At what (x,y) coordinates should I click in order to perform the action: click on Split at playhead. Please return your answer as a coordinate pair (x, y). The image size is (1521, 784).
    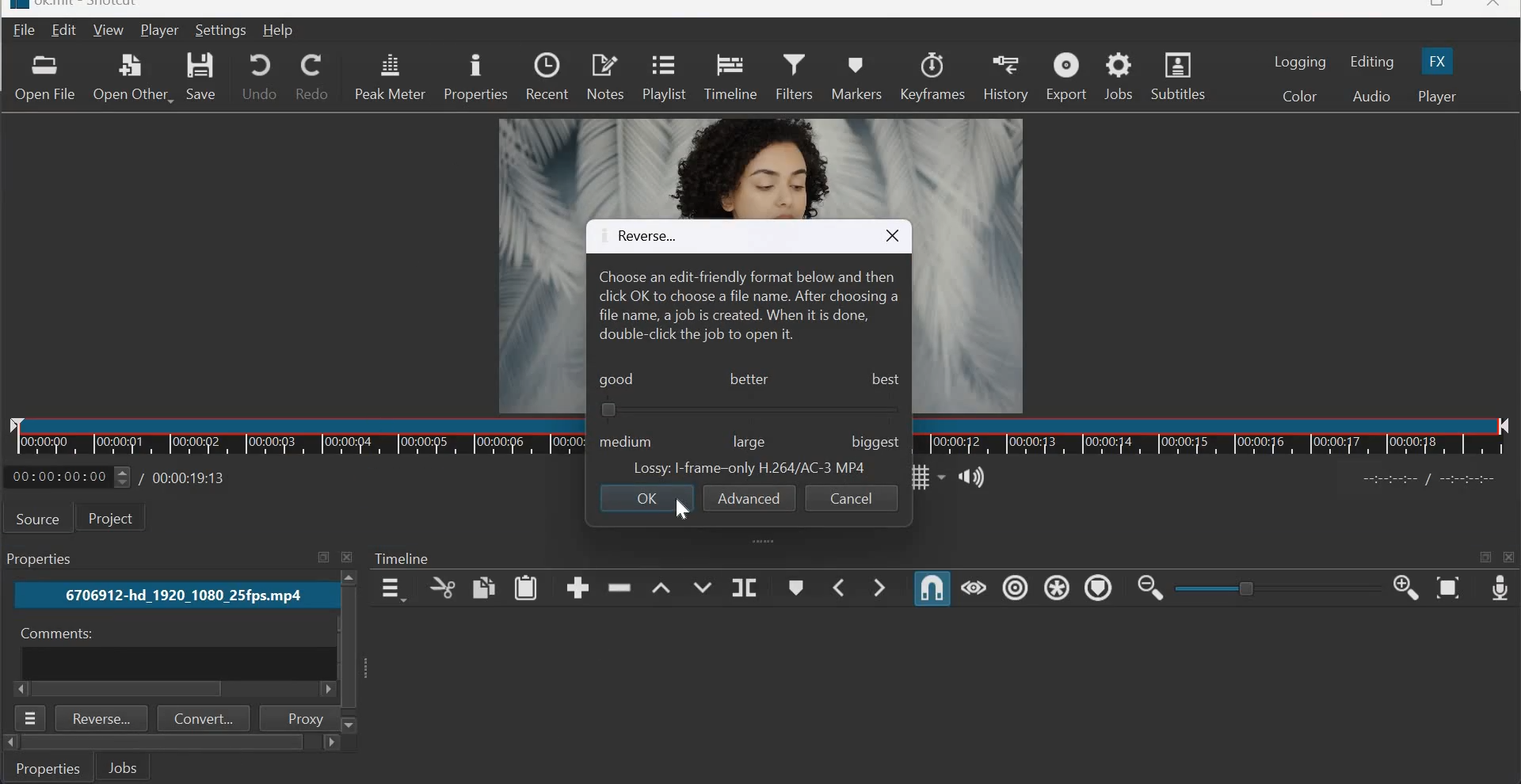
    Looking at the image, I should click on (744, 586).